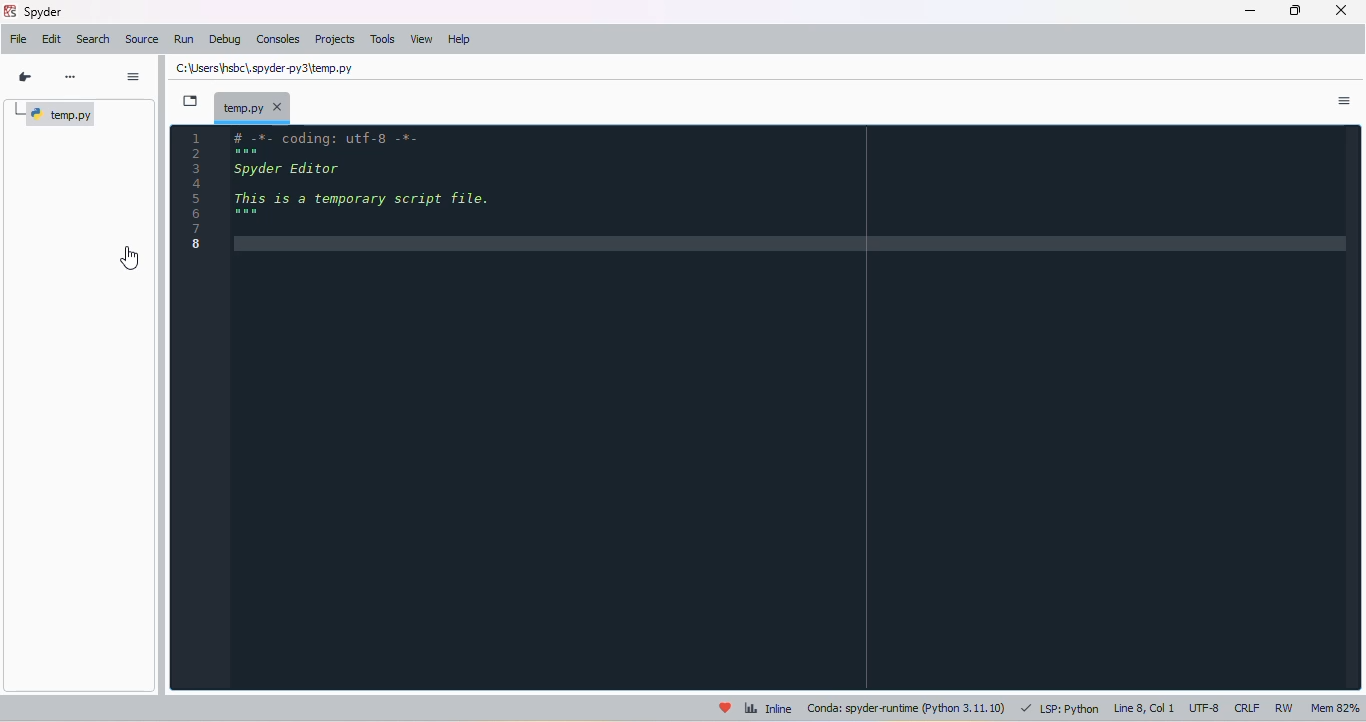  What do you see at coordinates (1344, 102) in the screenshot?
I see `options` at bounding box center [1344, 102].